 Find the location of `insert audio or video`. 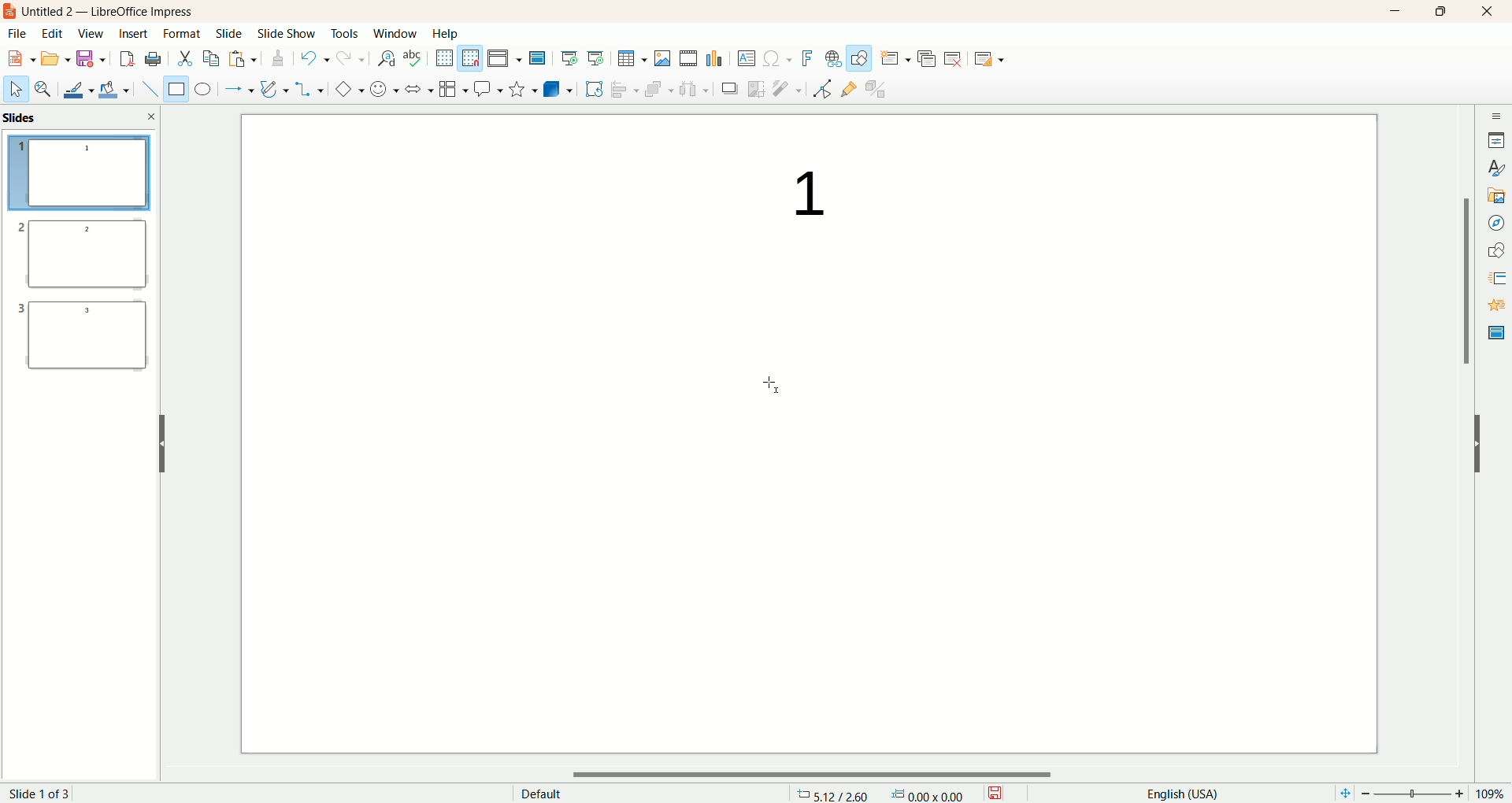

insert audio or video is located at coordinates (688, 58).